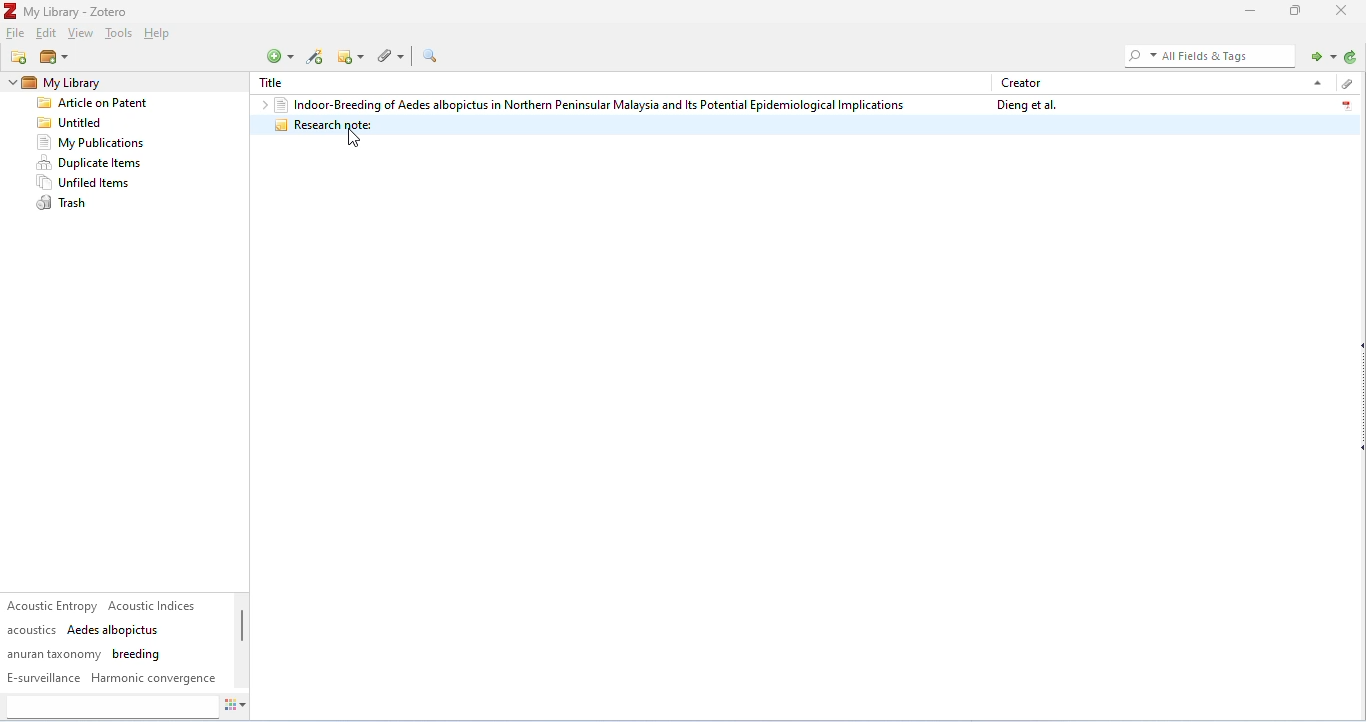 This screenshot has height=722, width=1366. Describe the element at coordinates (99, 104) in the screenshot. I see `Article on Patent` at that location.